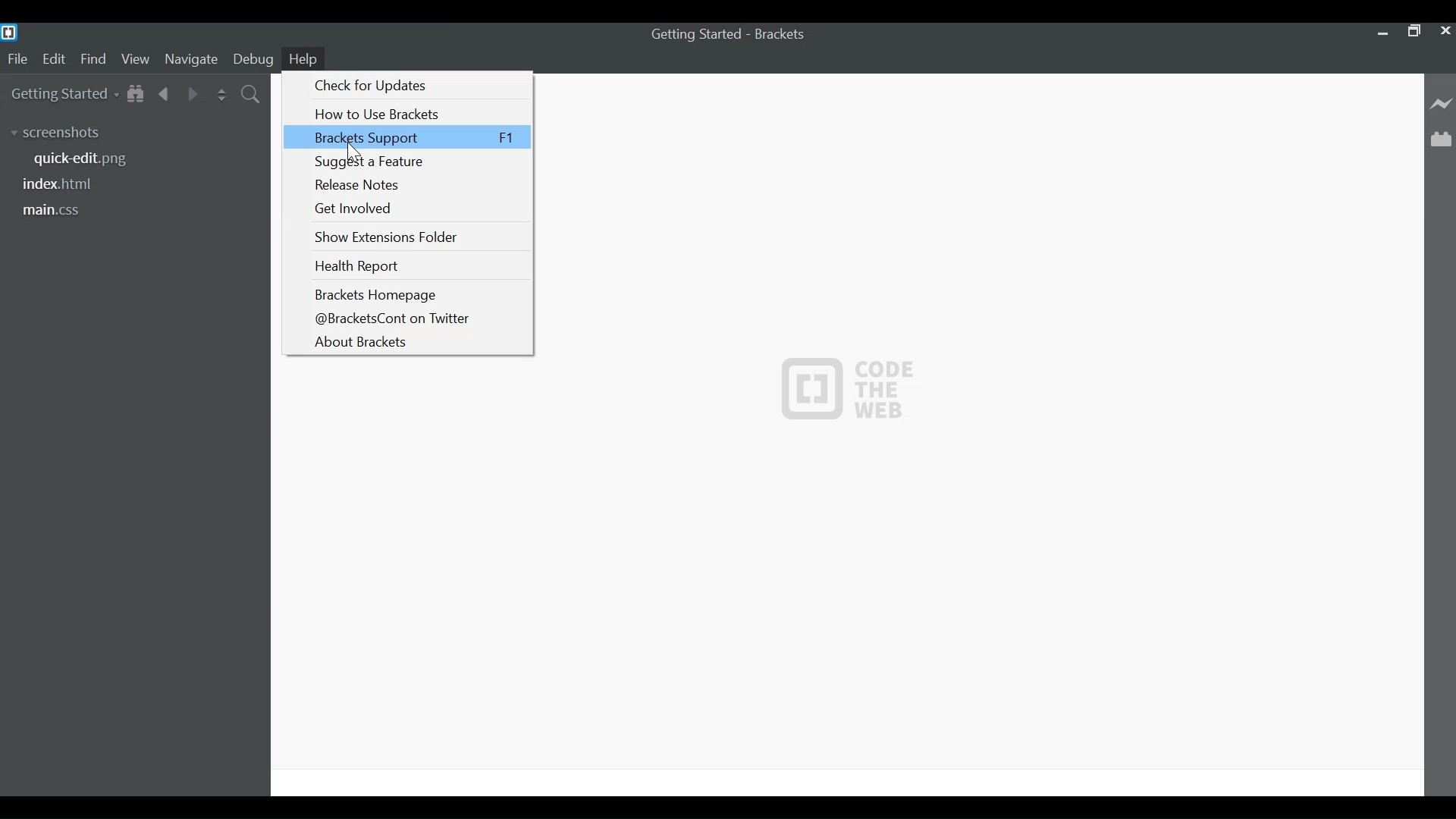 The height and width of the screenshot is (819, 1456). I want to click on Edit, so click(53, 60).